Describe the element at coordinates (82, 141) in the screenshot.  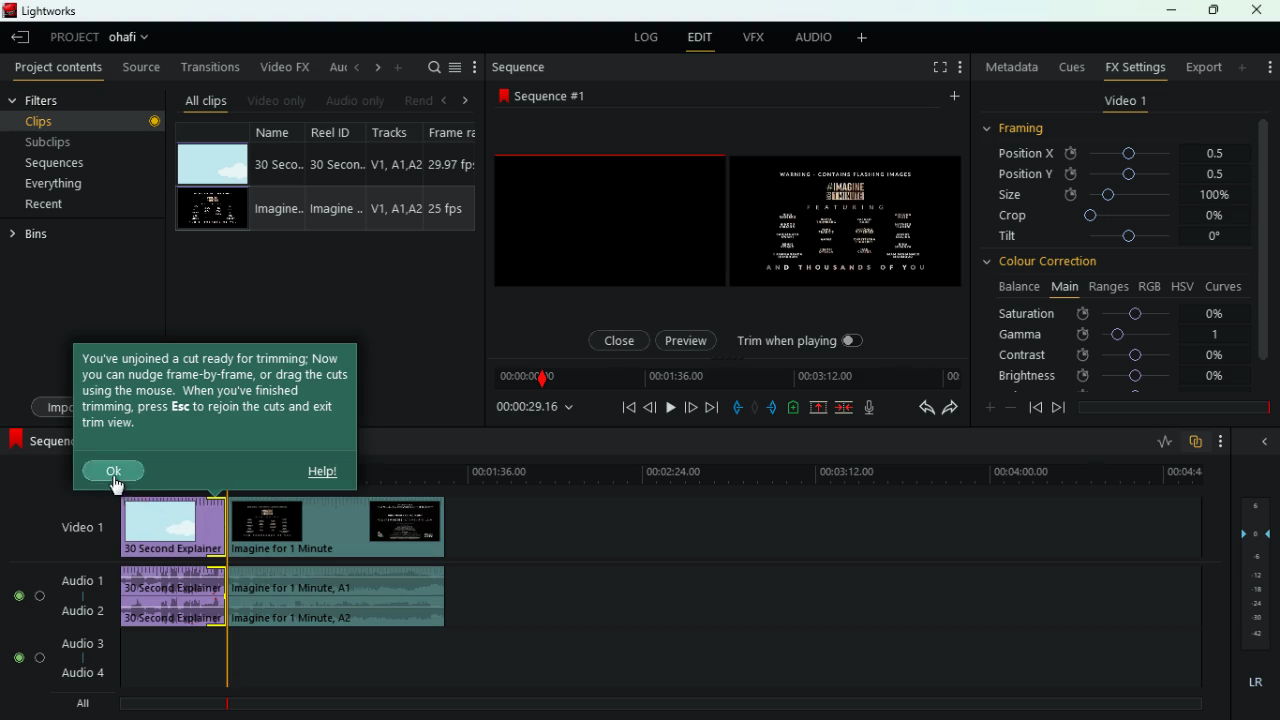
I see `subclips` at that location.